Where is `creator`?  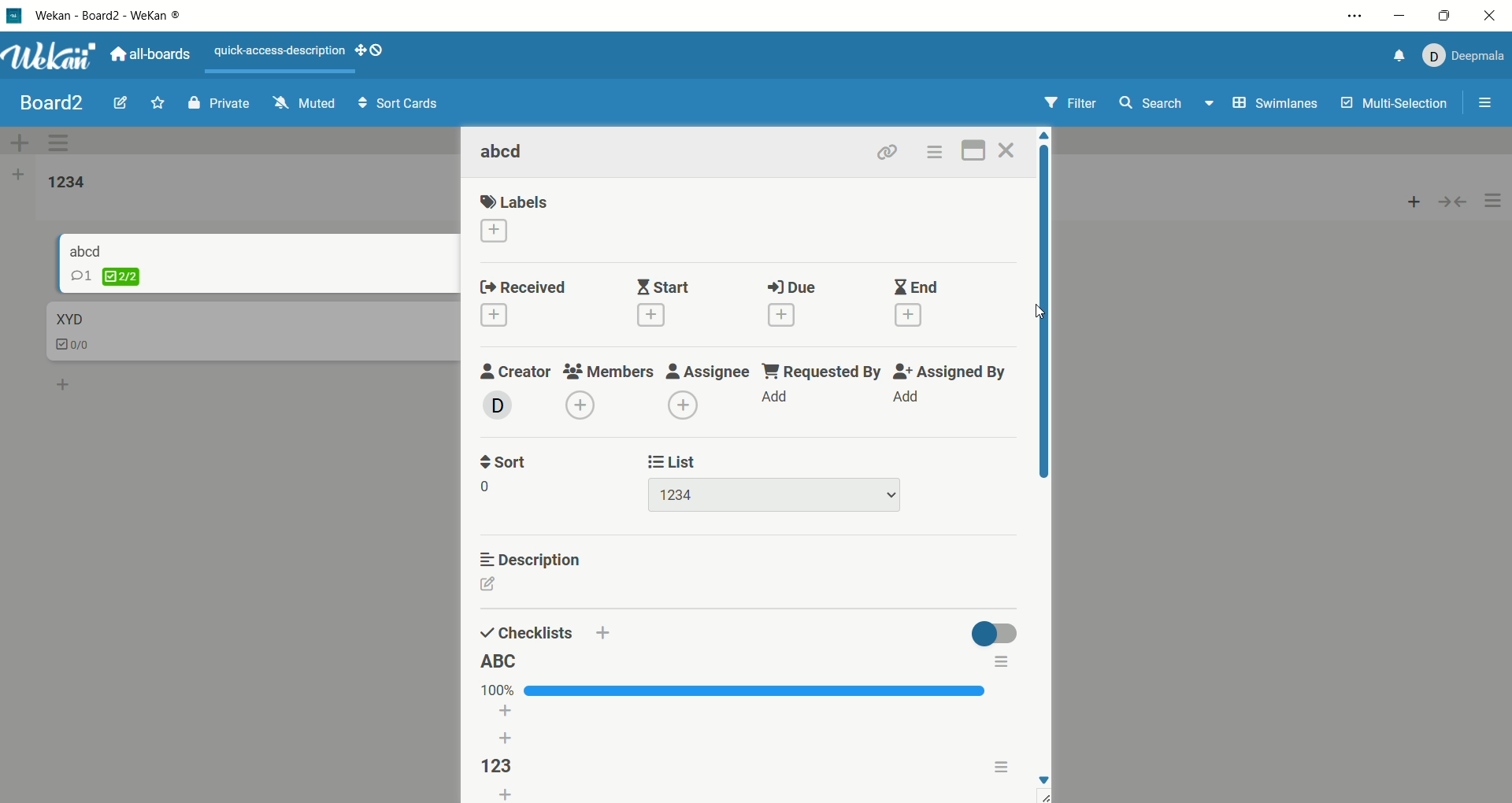 creator is located at coordinates (517, 372).